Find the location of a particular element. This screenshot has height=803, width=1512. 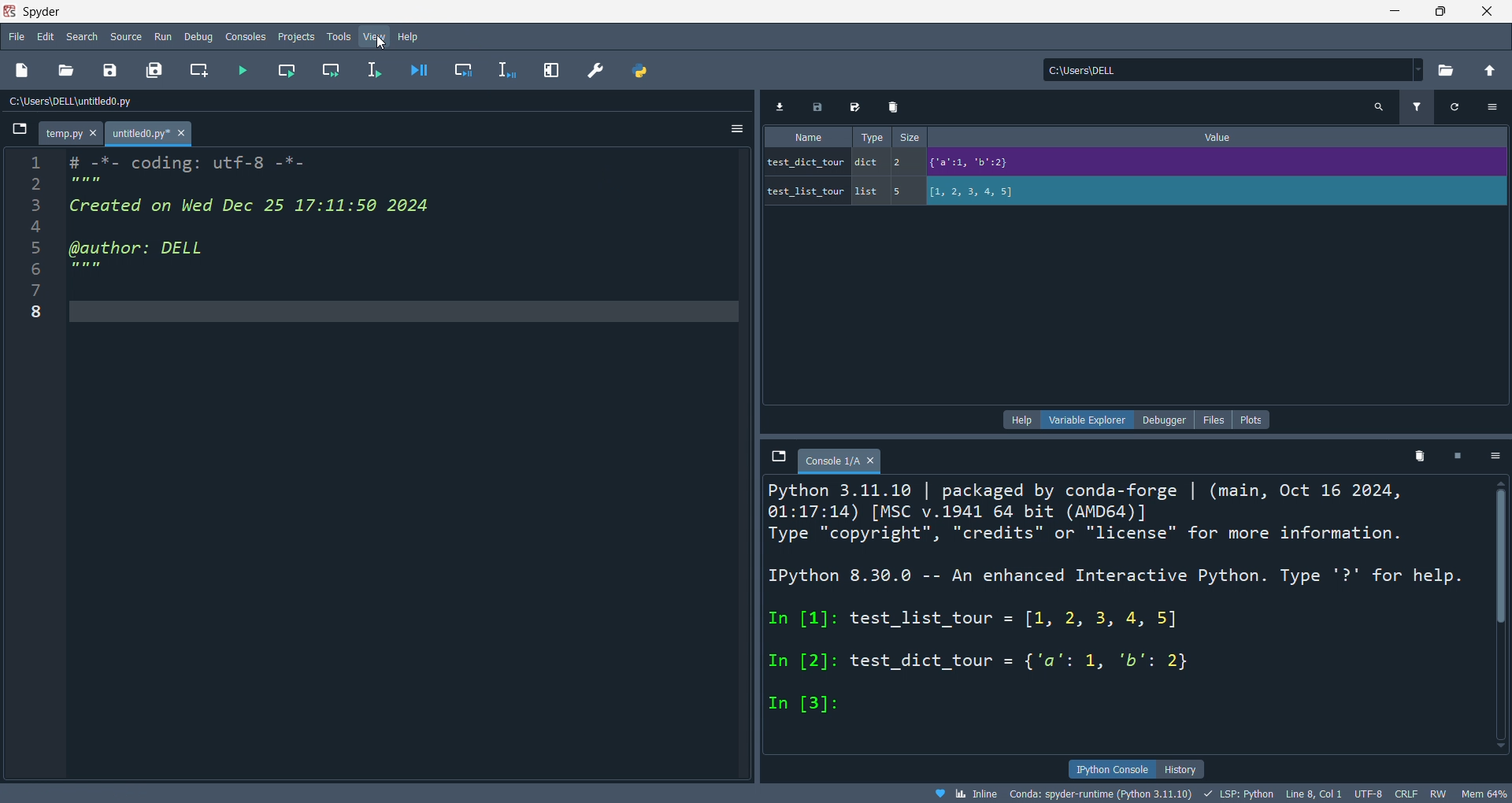

open parent directory is located at coordinates (1490, 68).